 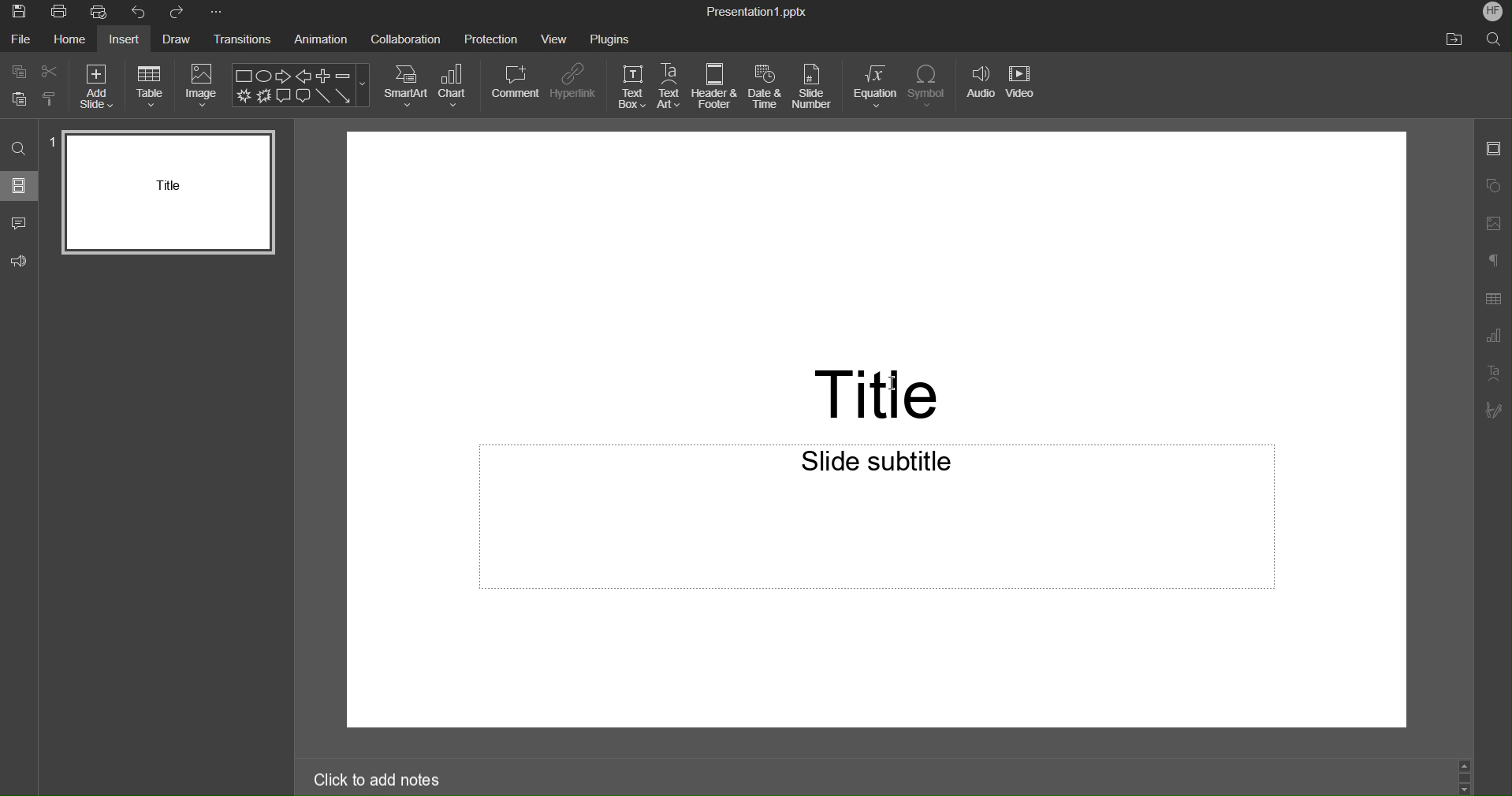 What do you see at coordinates (58, 13) in the screenshot?
I see `Print` at bounding box center [58, 13].